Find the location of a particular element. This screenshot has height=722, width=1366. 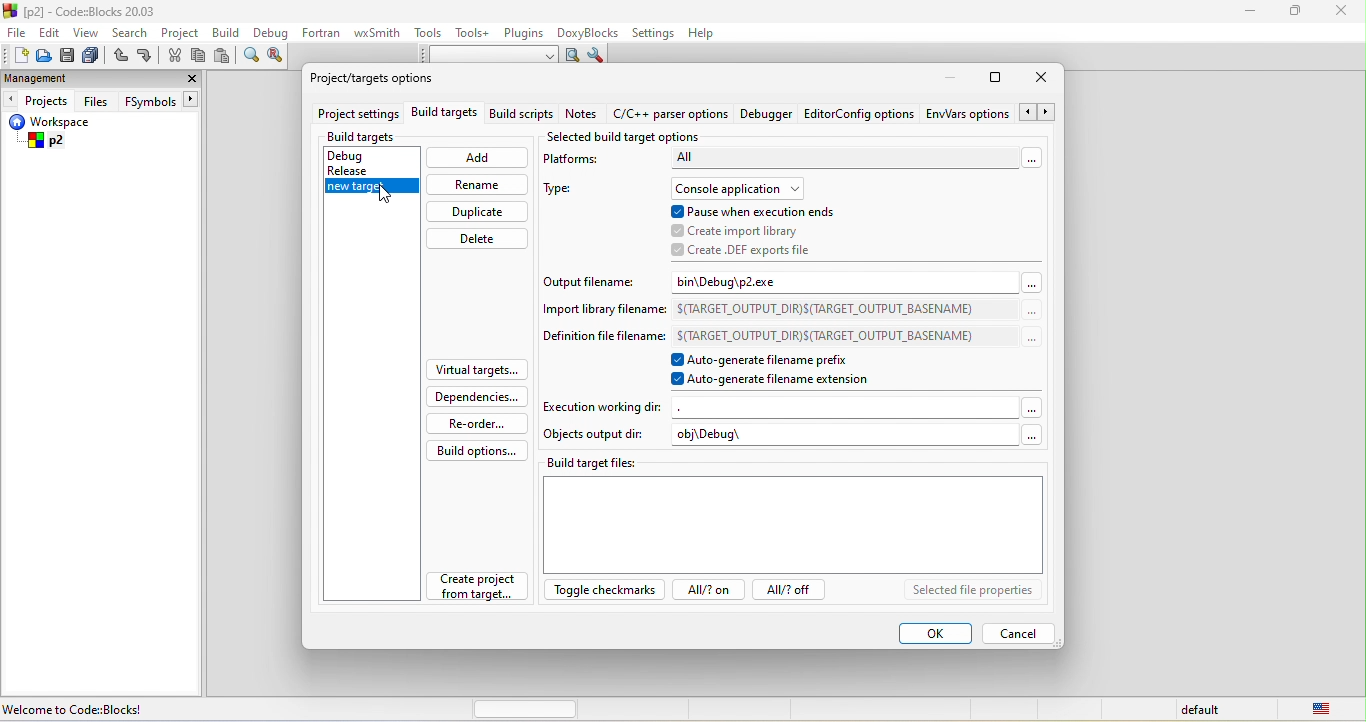

duplicate is located at coordinates (476, 212).